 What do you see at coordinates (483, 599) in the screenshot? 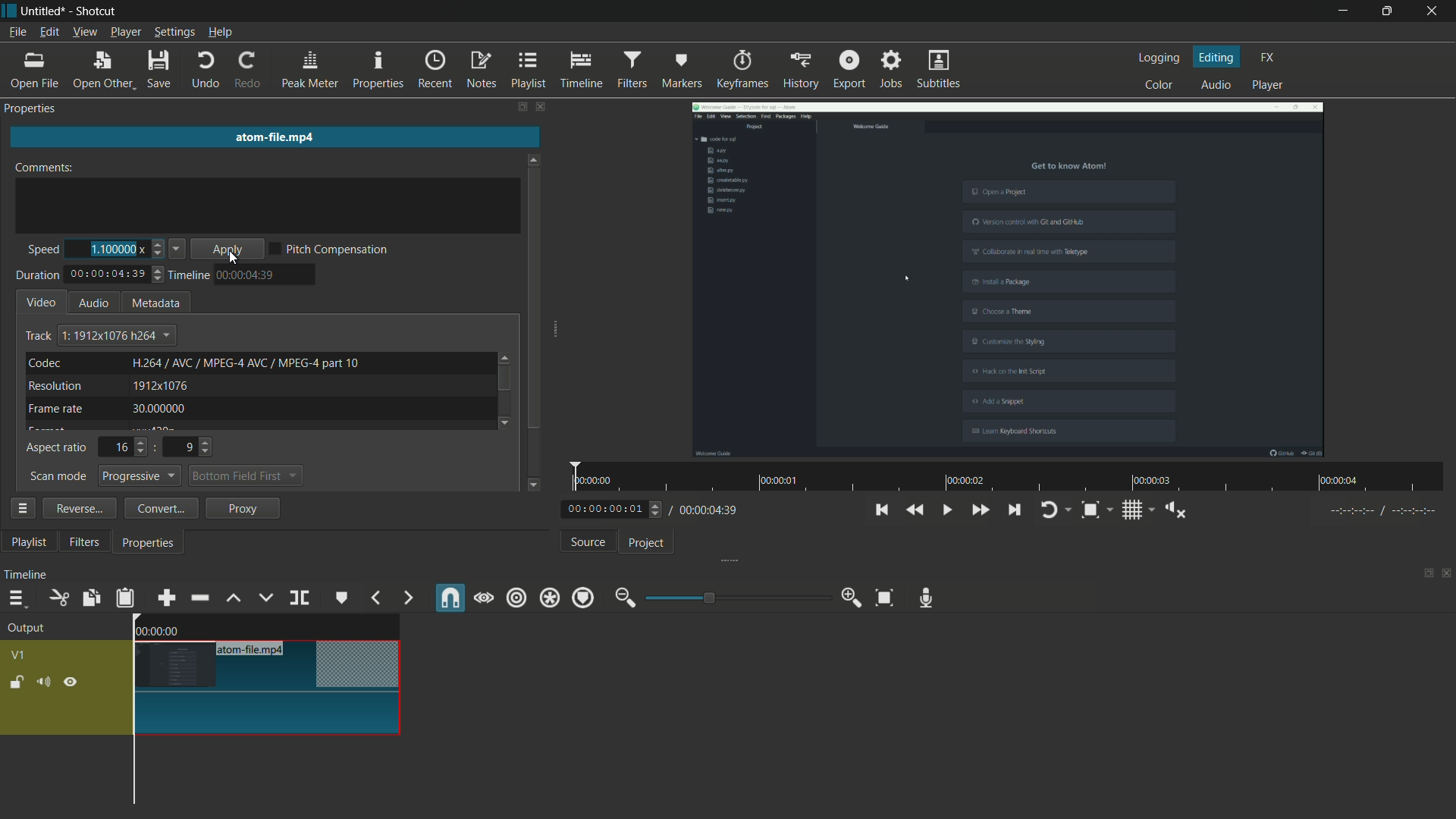
I see `scrub while dragging` at bounding box center [483, 599].